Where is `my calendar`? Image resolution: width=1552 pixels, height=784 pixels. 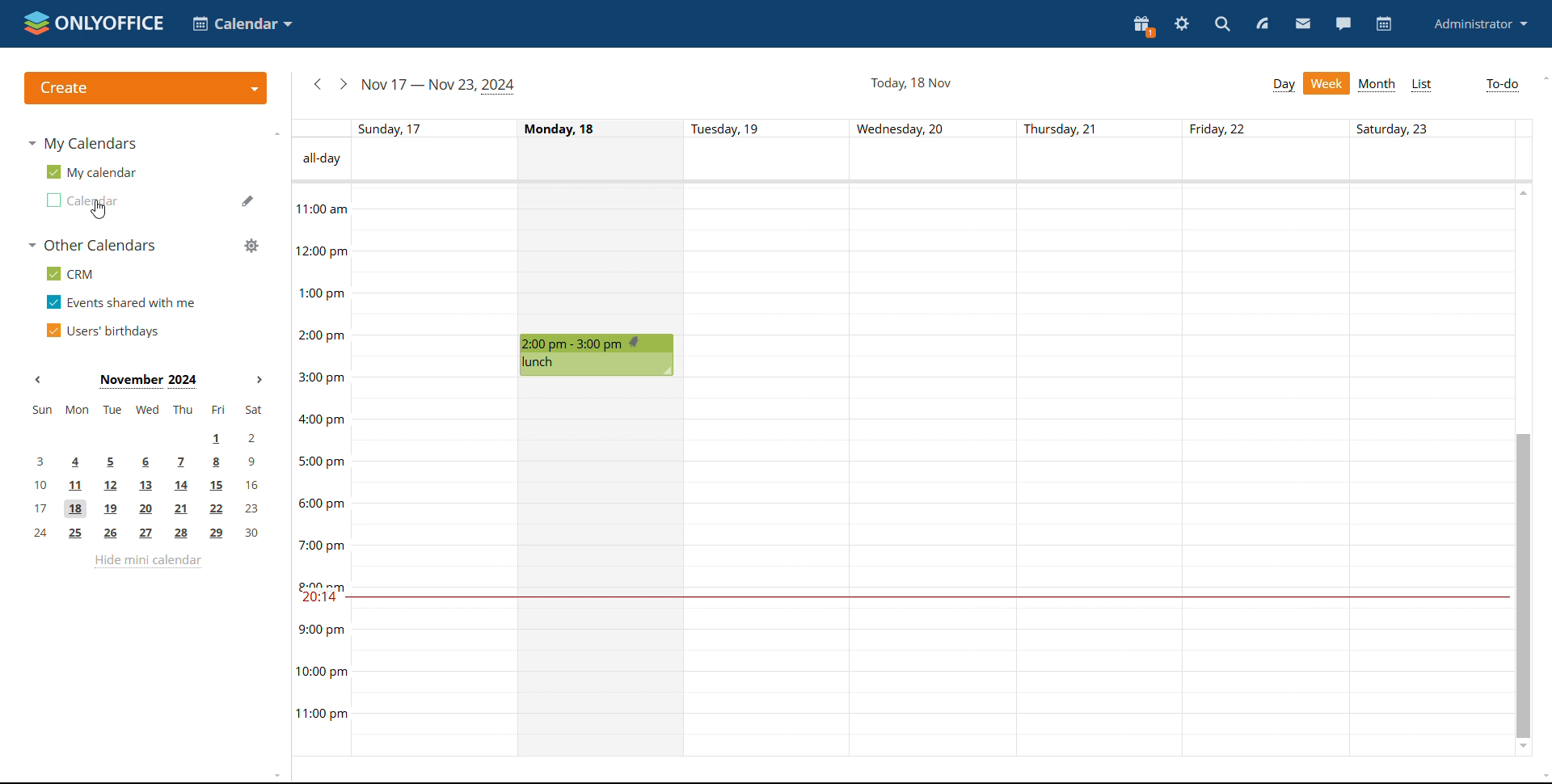
my calendar is located at coordinates (93, 171).